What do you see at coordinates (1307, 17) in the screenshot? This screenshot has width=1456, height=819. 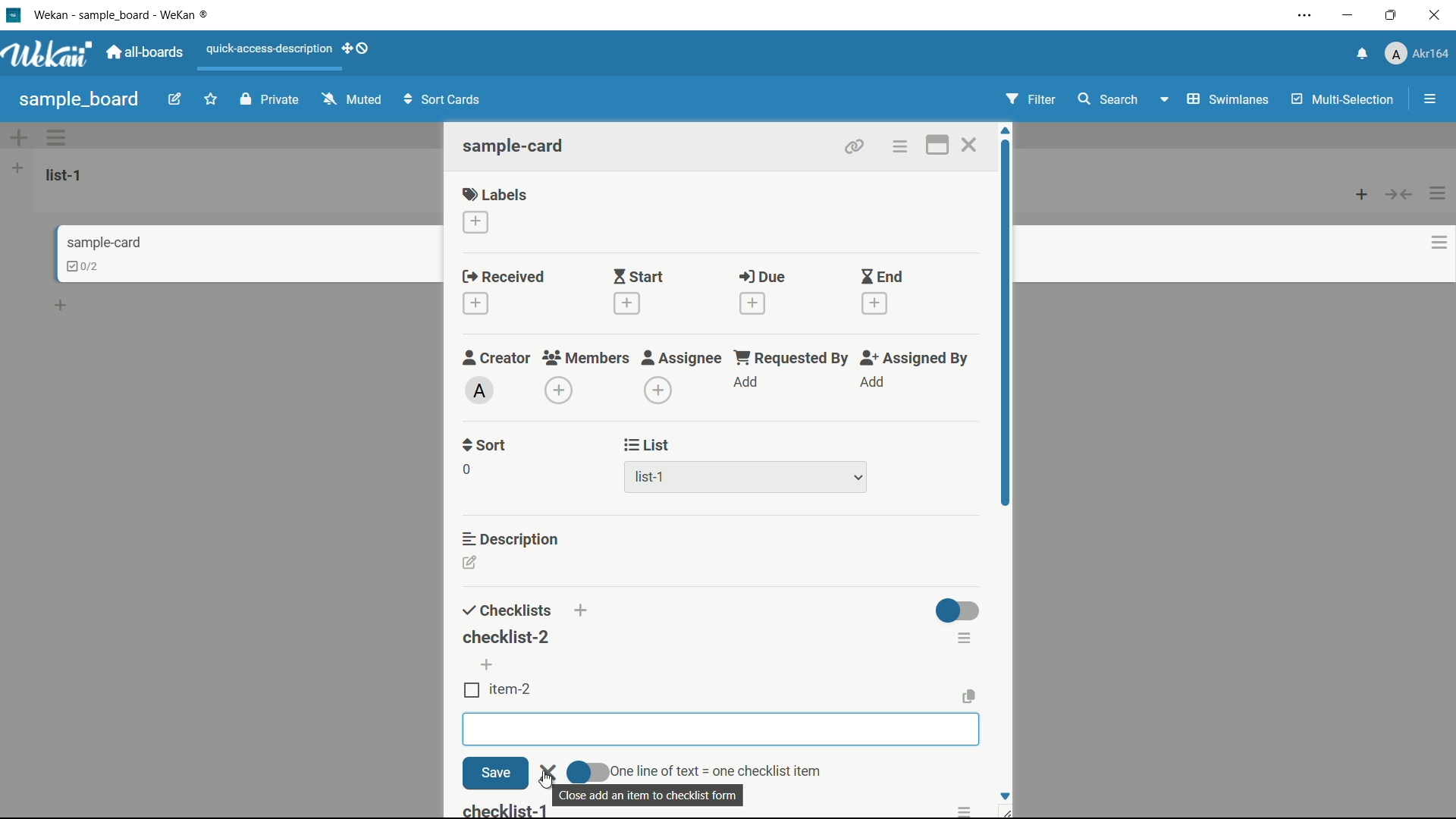 I see `settings and more` at bounding box center [1307, 17].